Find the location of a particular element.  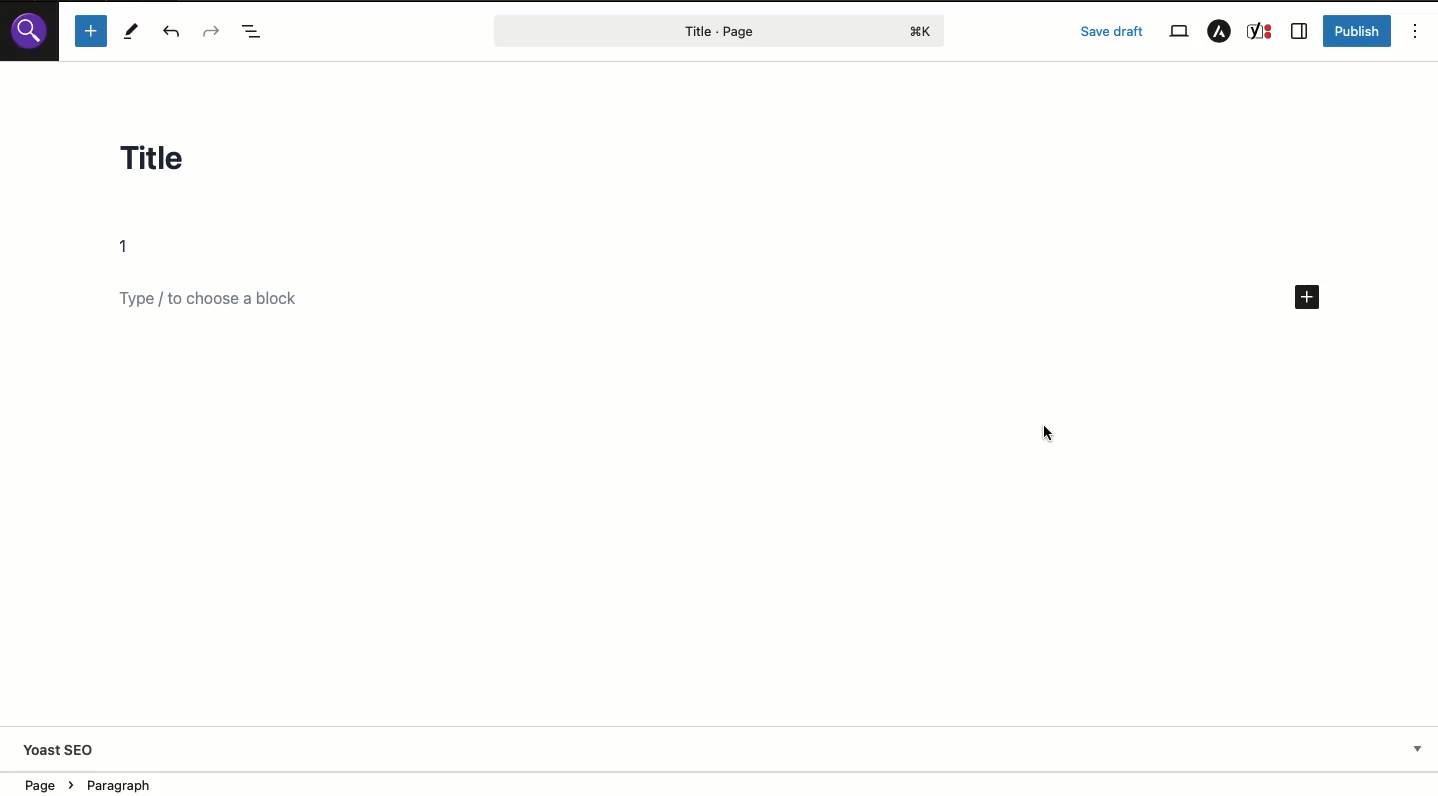

Undo is located at coordinates (176, 32).